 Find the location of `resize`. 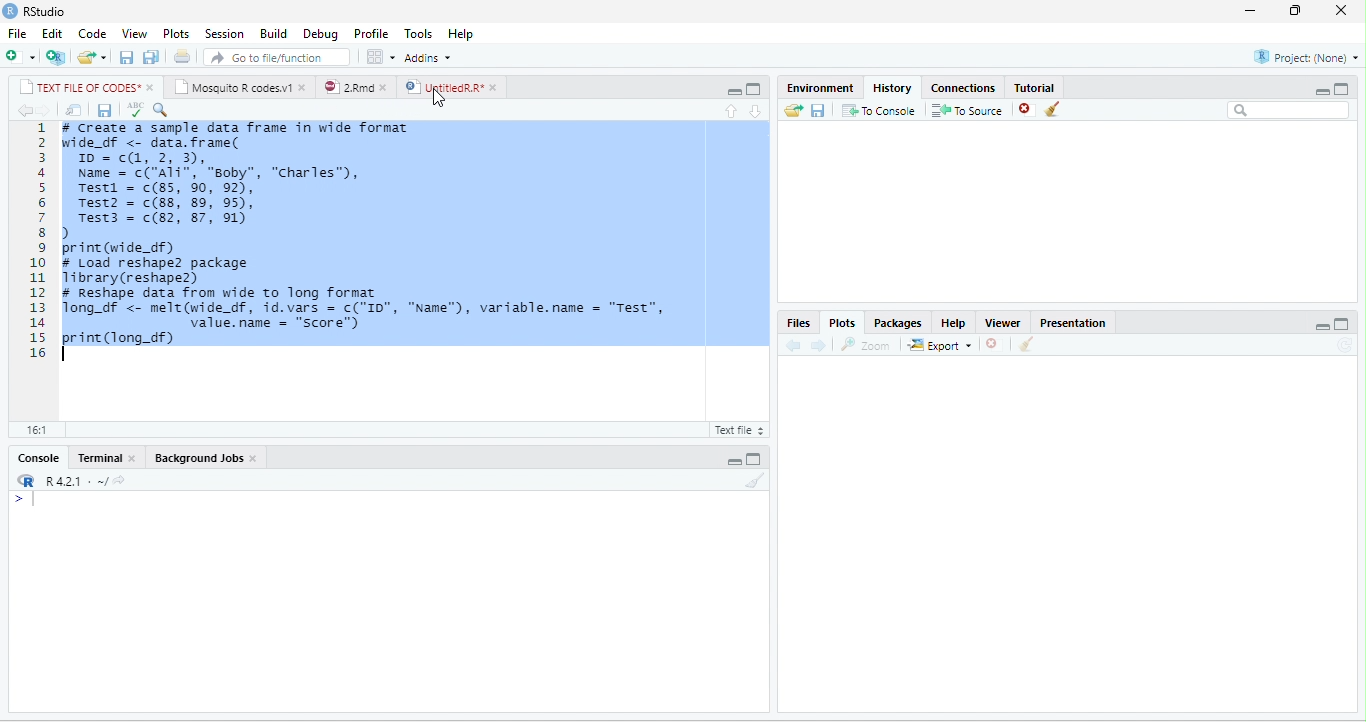

resize is located at coordinates (1295, 11).